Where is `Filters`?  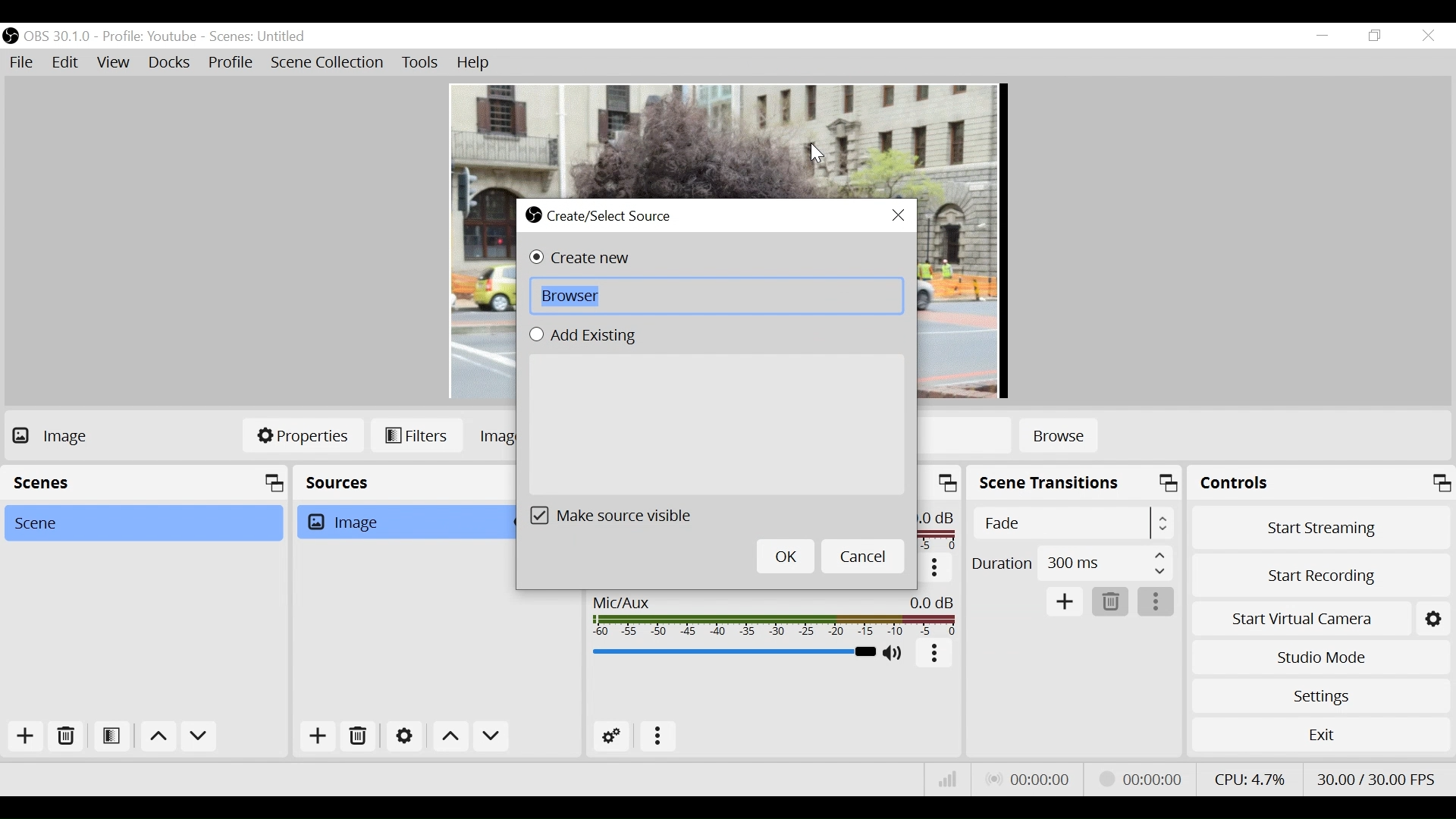
Filters is located at coordinates (417, 435).